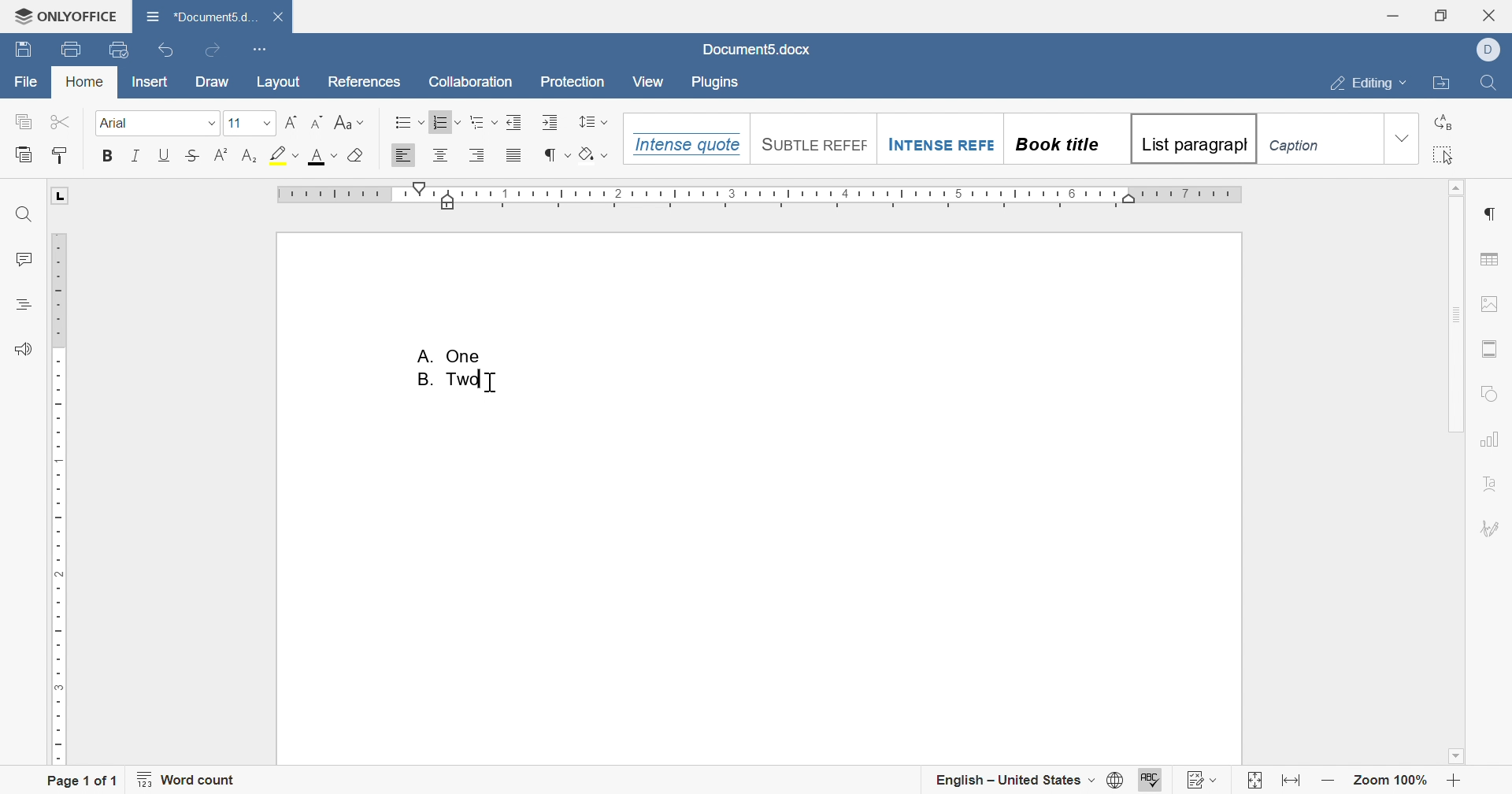 The height and width of the screenshot is (794, 1512). Describe the element at coordinates (575, 82) in the screenshot. I see `Protection` at that location.